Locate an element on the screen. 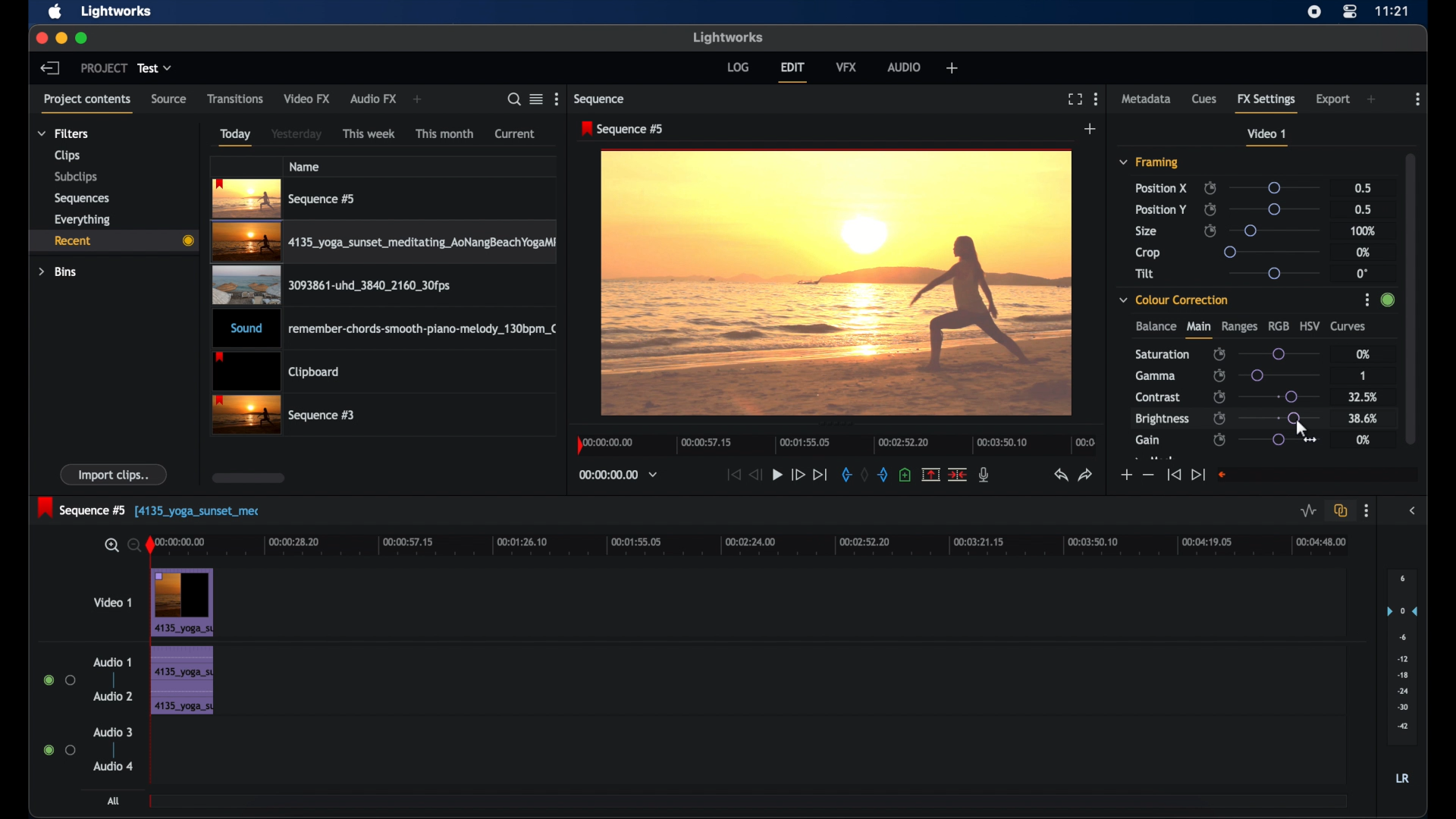 The width and height of the screenshot is (1456, 819). mic is located at coordinates (984, 474).